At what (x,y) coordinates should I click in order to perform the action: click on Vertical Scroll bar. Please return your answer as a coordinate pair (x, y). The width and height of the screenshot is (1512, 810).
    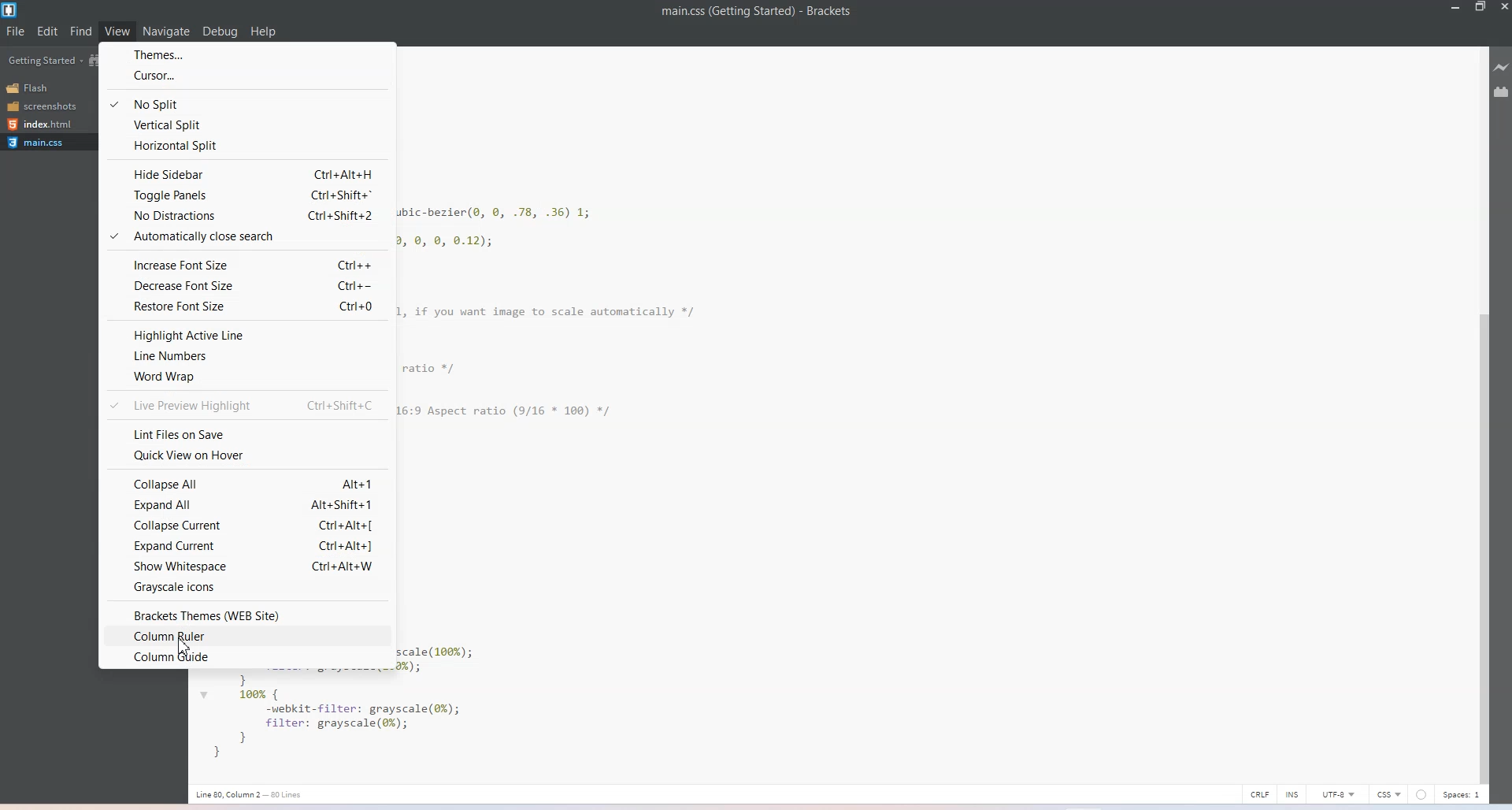
    Looking at the image, I should click on (1484, 413).